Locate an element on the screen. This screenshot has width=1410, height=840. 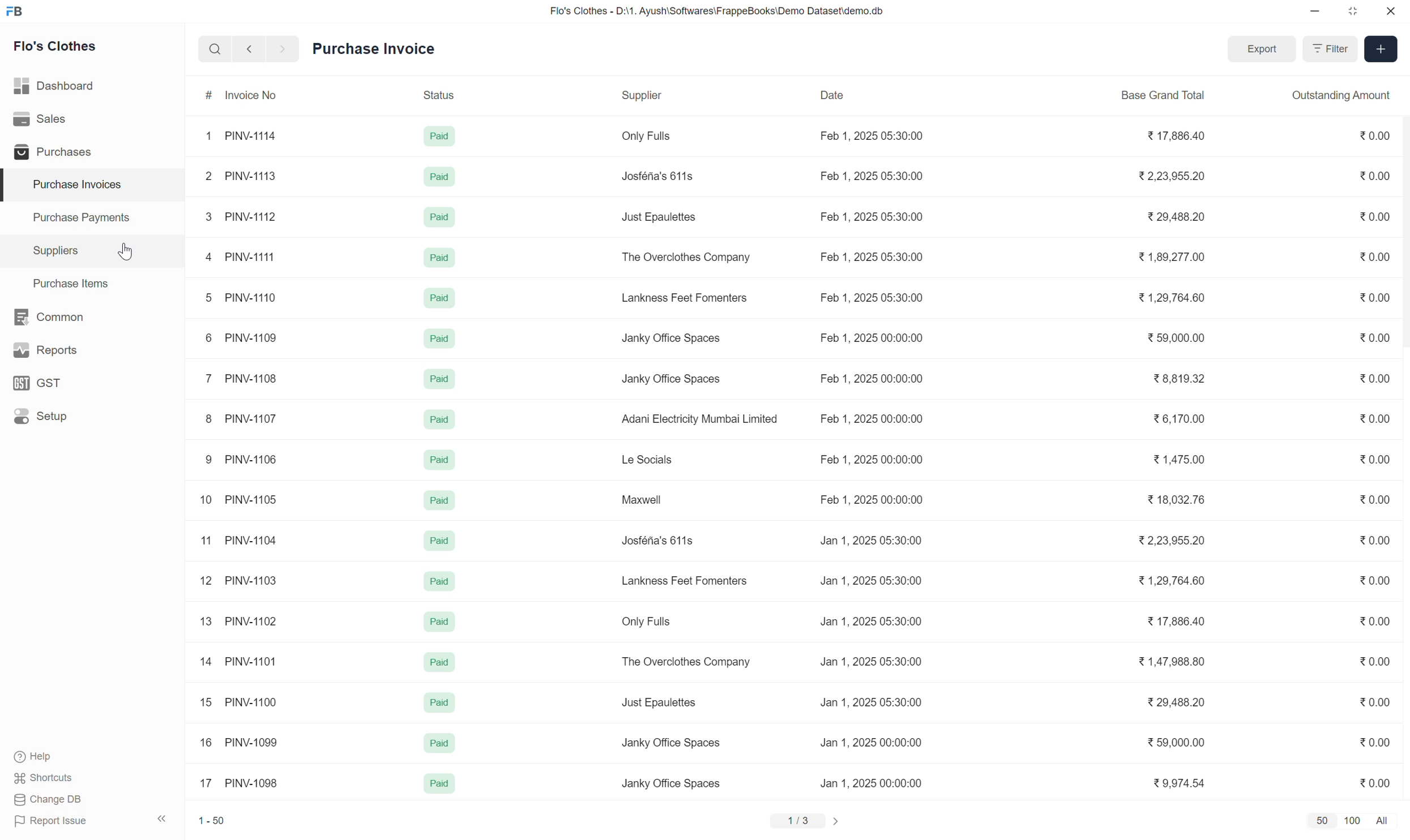
1,29,764.60 is located at coordinates (1171, 580).